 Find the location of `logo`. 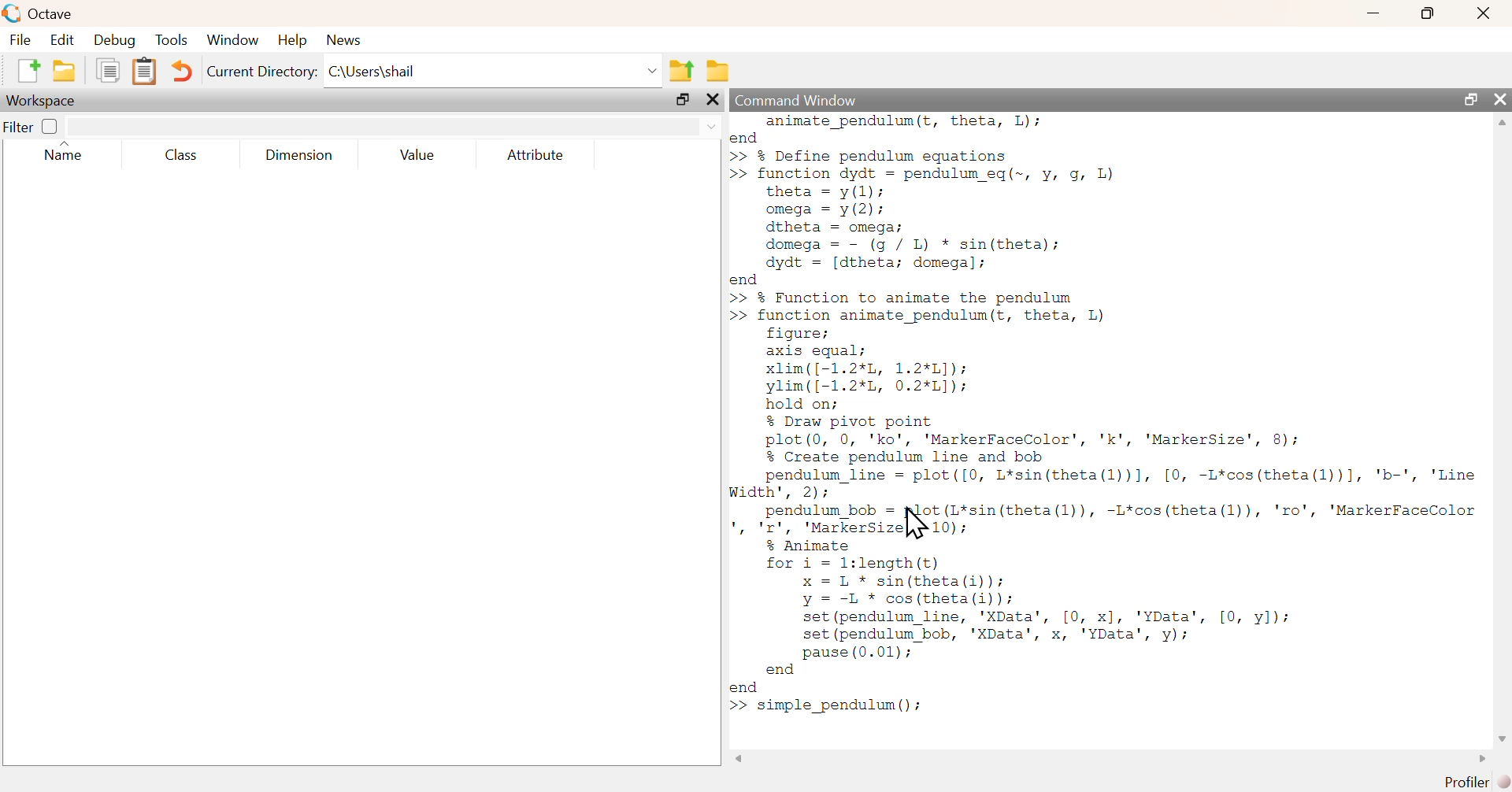

logo is located at coordinates (13, 13).